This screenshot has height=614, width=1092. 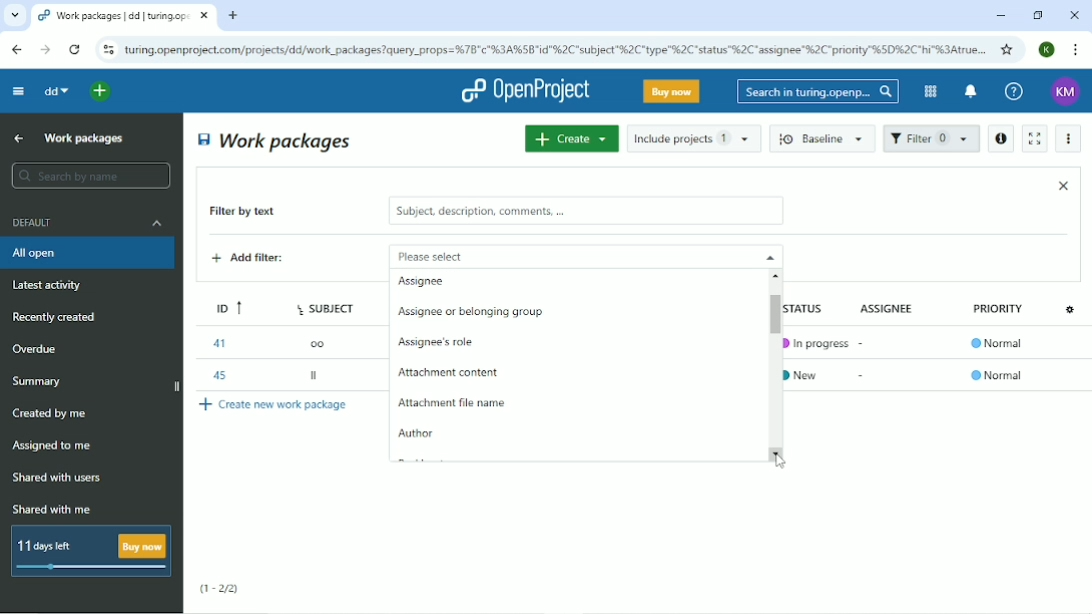 What do you see at coordinates (814, 307) in the screenshot?
I see `Status` at bounding box center [814, 307].